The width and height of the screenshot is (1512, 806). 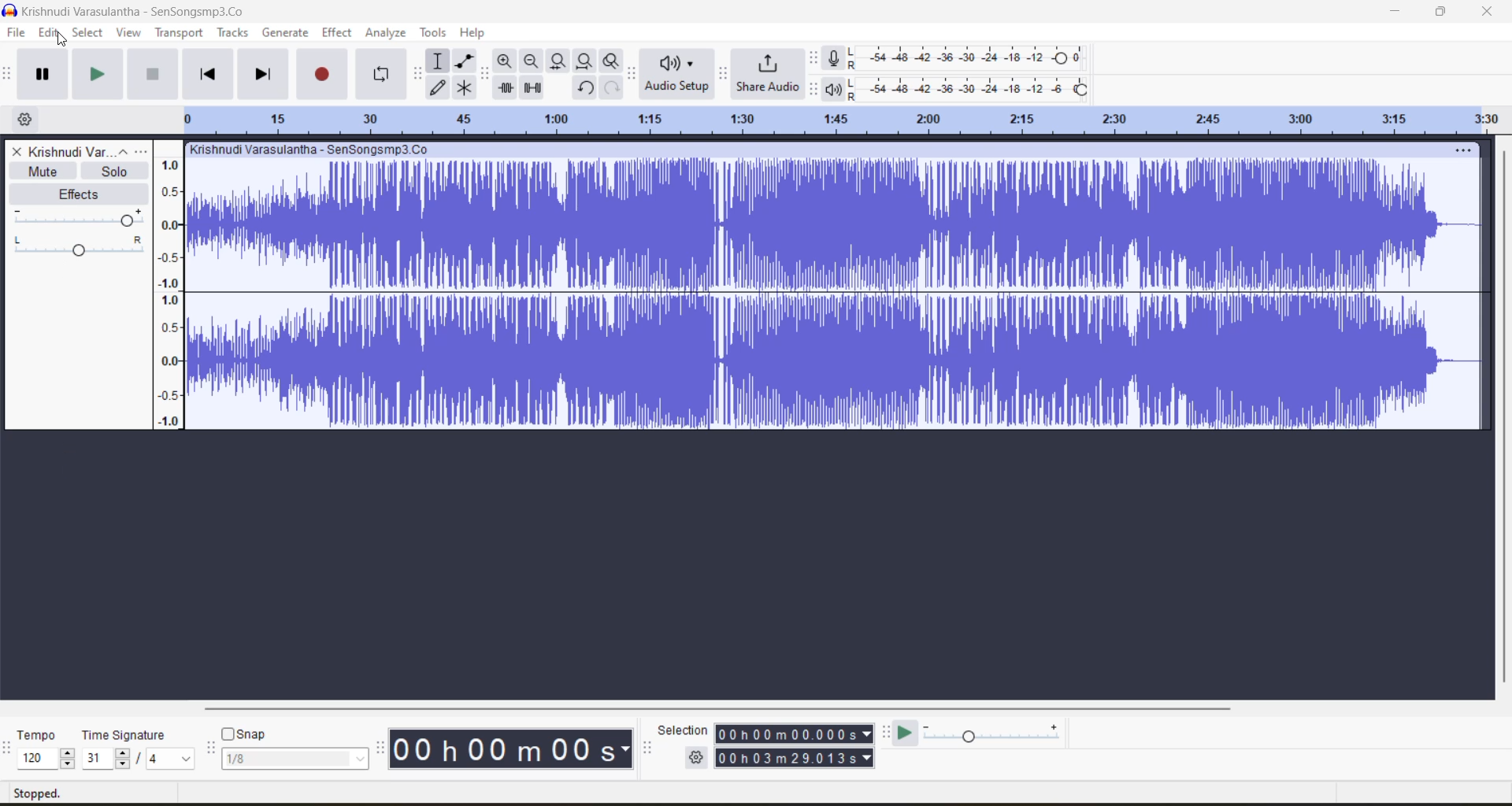 I want to click on selection settings, so click(x=697, y=757).